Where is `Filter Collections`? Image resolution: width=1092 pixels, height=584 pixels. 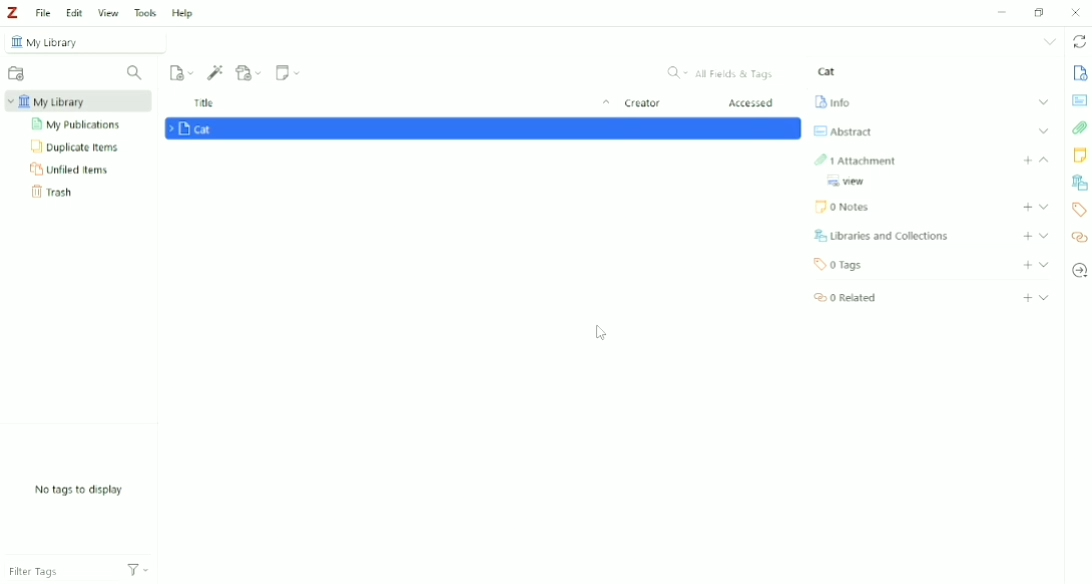
Filter Collections is located at coordinates (135, 73).